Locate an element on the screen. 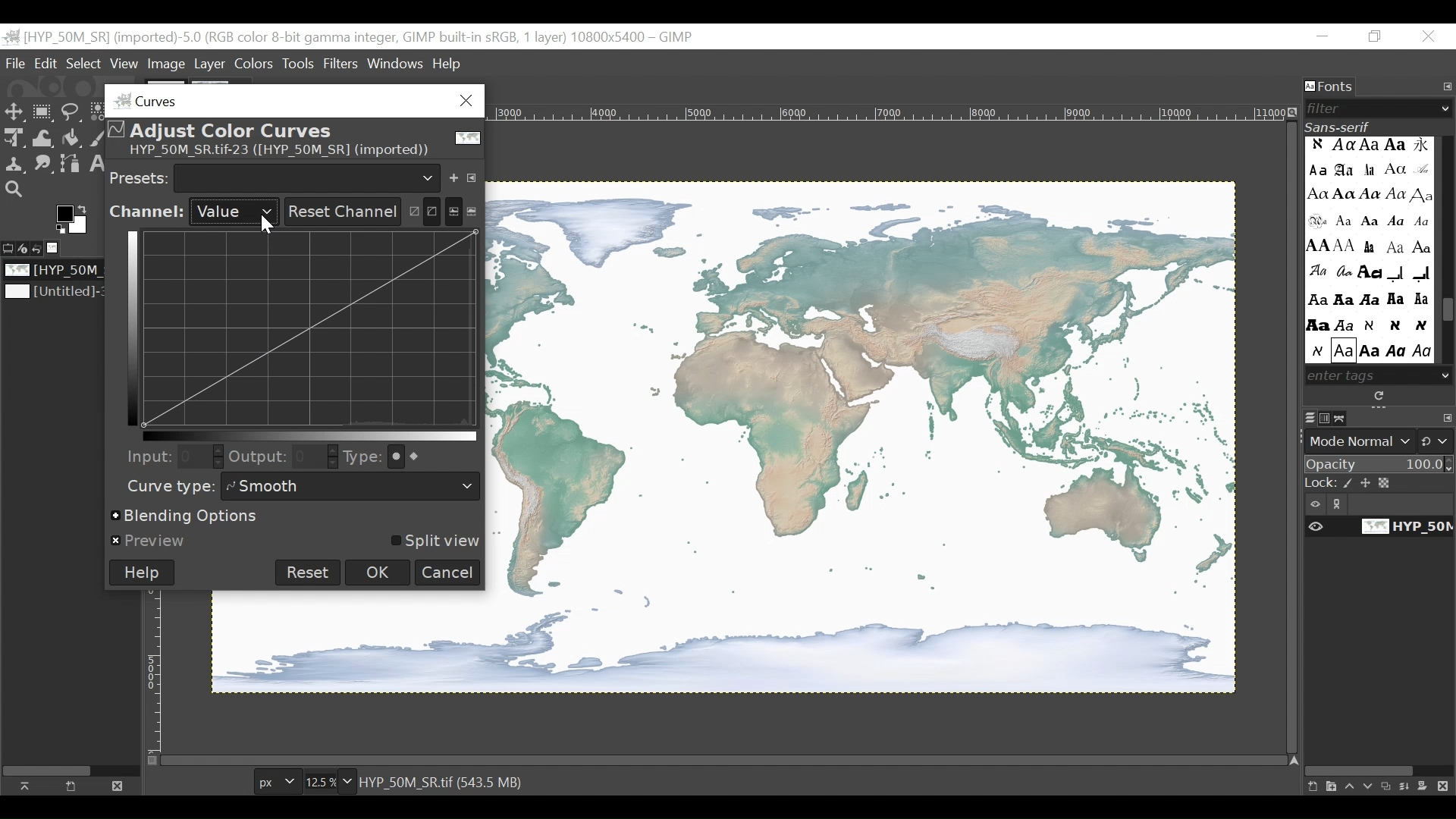  Undo History is located at coordinates (42, 249).